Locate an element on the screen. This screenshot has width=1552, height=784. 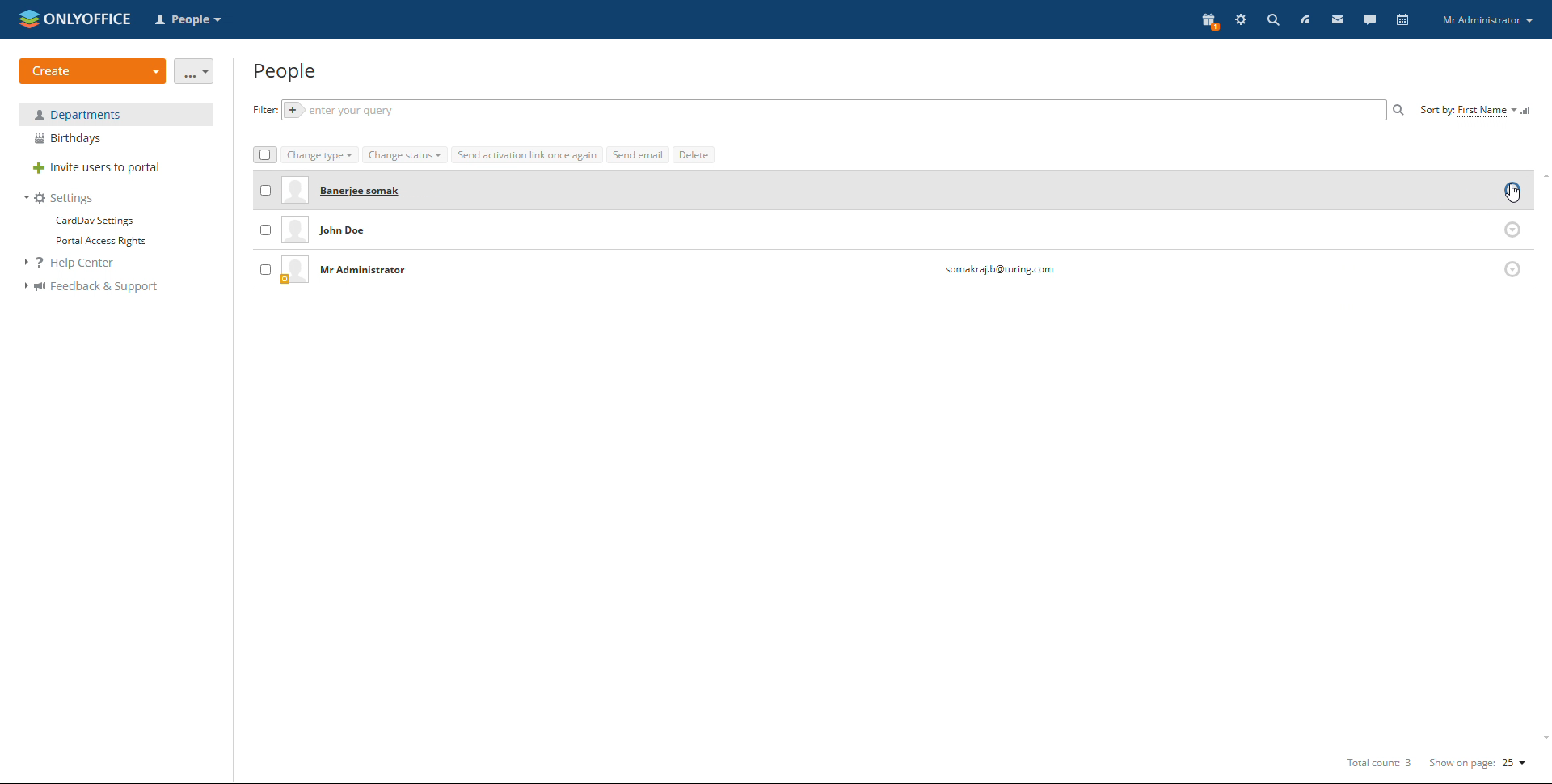
total count is located at coordinates (1377, 764).